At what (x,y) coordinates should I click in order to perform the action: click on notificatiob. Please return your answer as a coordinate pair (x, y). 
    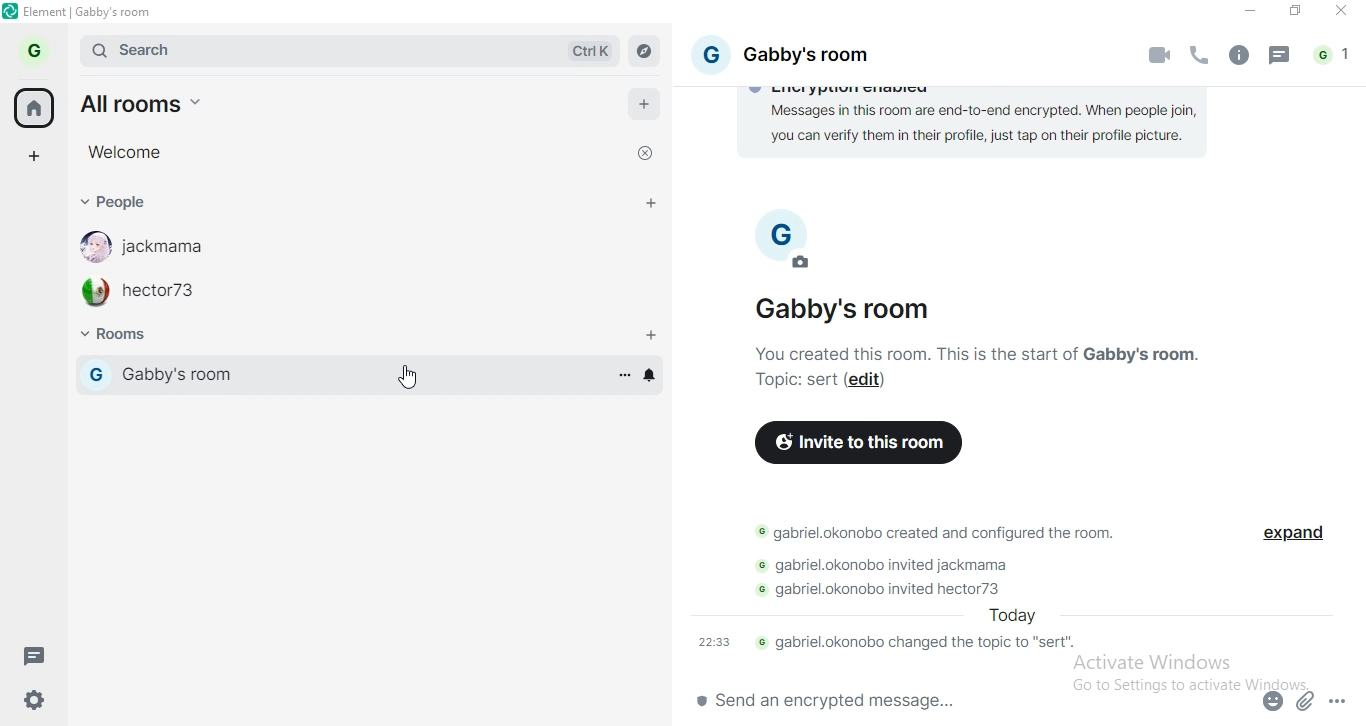
    Looking at the image, I should click on (653, 376).